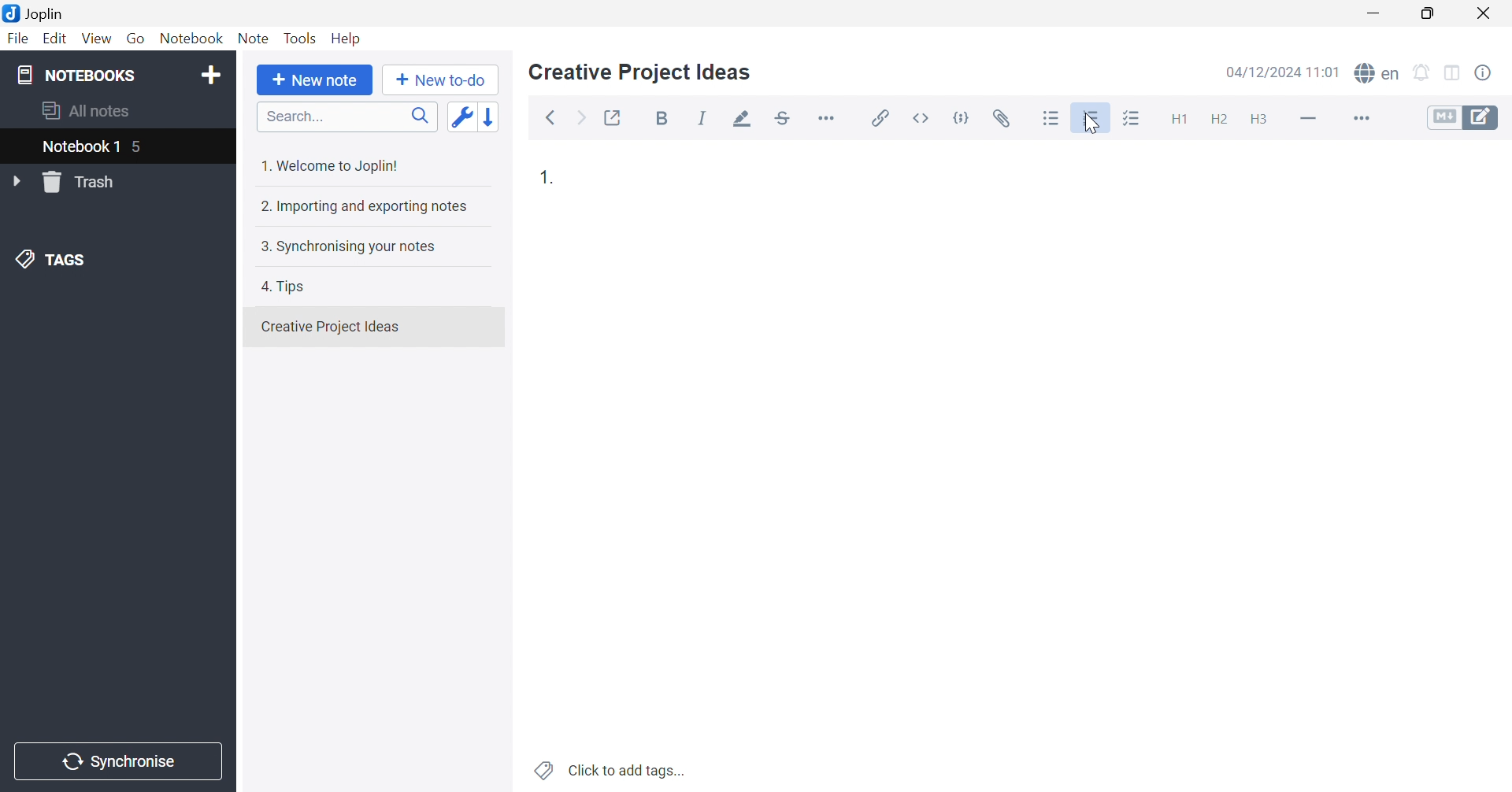  I want to click on Bold, so click(665, 120).